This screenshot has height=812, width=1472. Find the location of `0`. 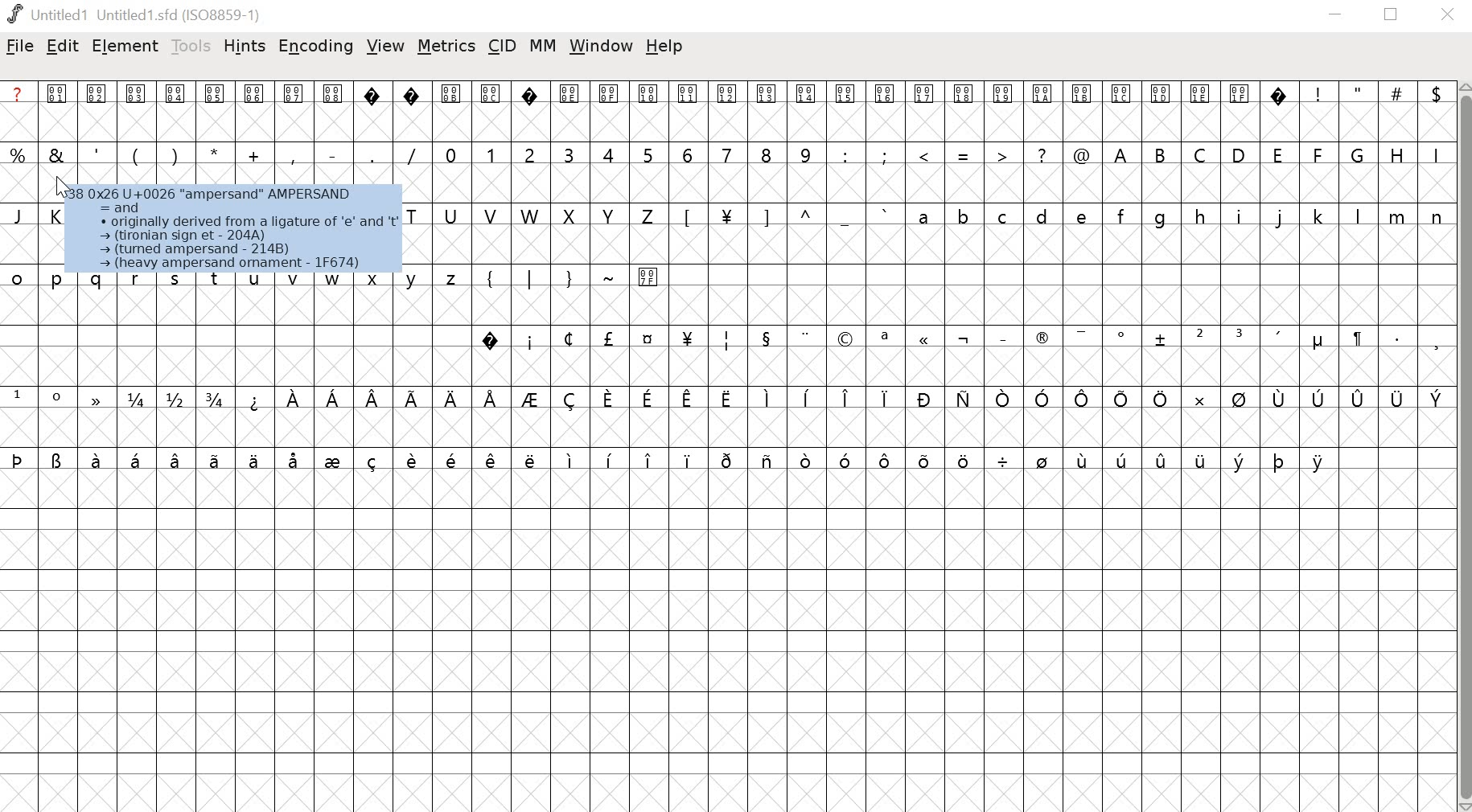

0 is located at coordinates (60, 399).